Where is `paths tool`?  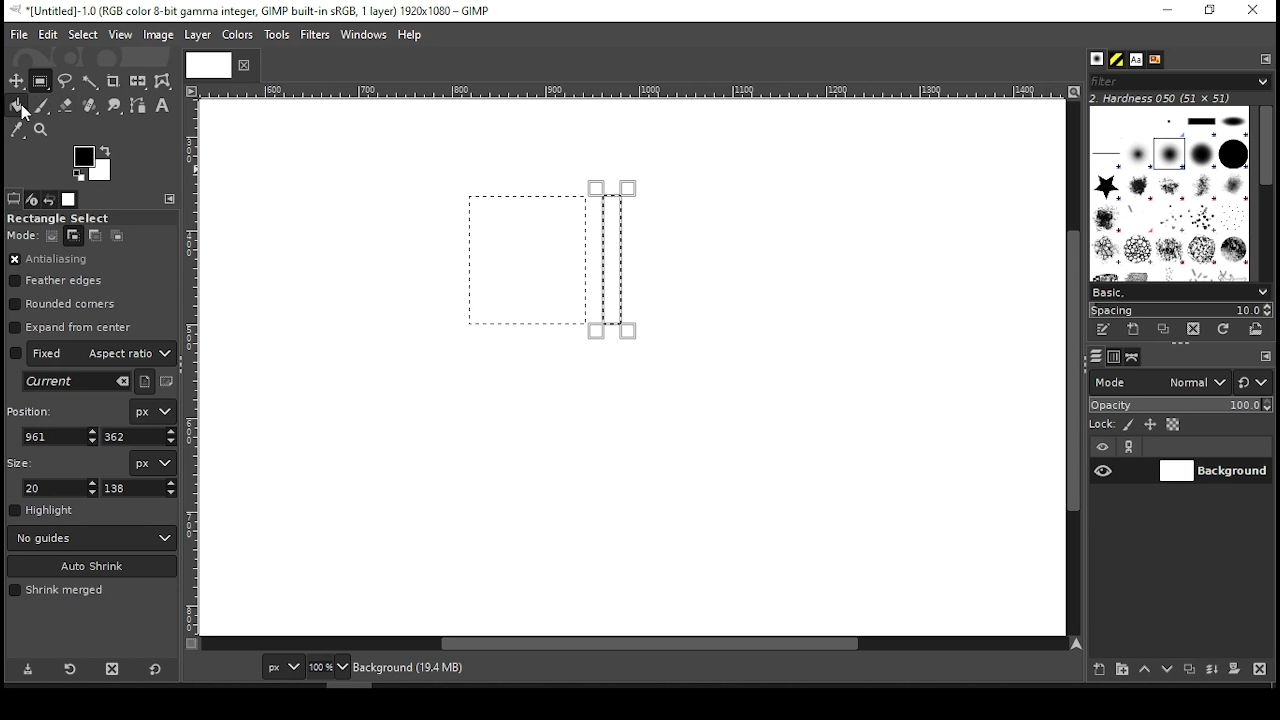 paths tool is located at coordinates (139, 107).